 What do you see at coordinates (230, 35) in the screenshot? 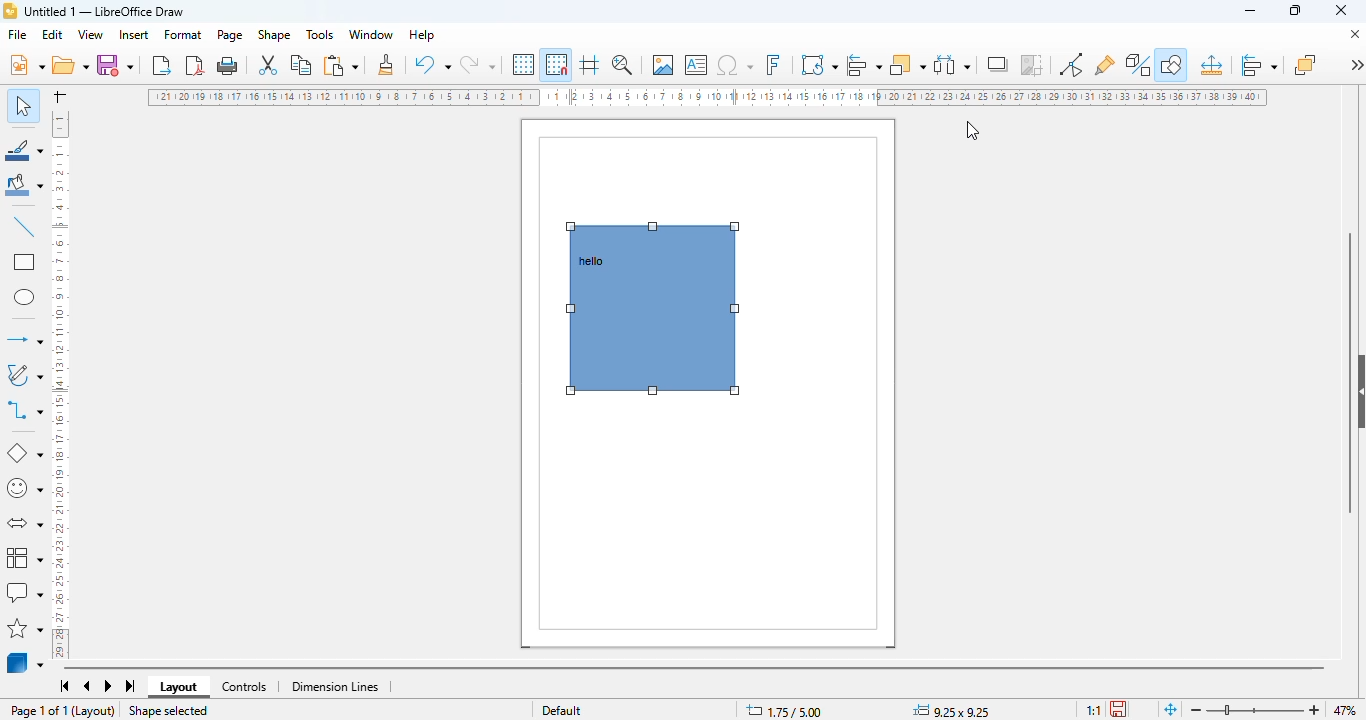
I see `page` at bounding box center [230, 35].